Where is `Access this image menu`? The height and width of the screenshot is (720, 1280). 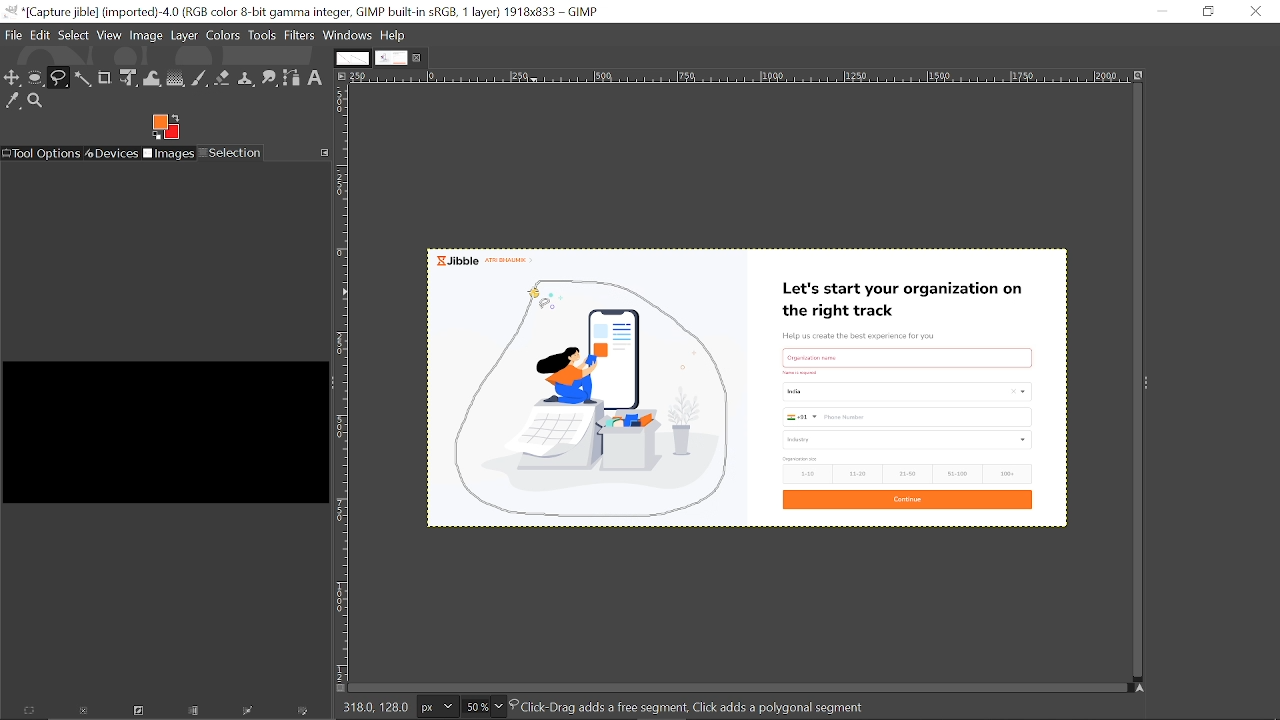 Access this image menu is located at coordinates (342, 77).